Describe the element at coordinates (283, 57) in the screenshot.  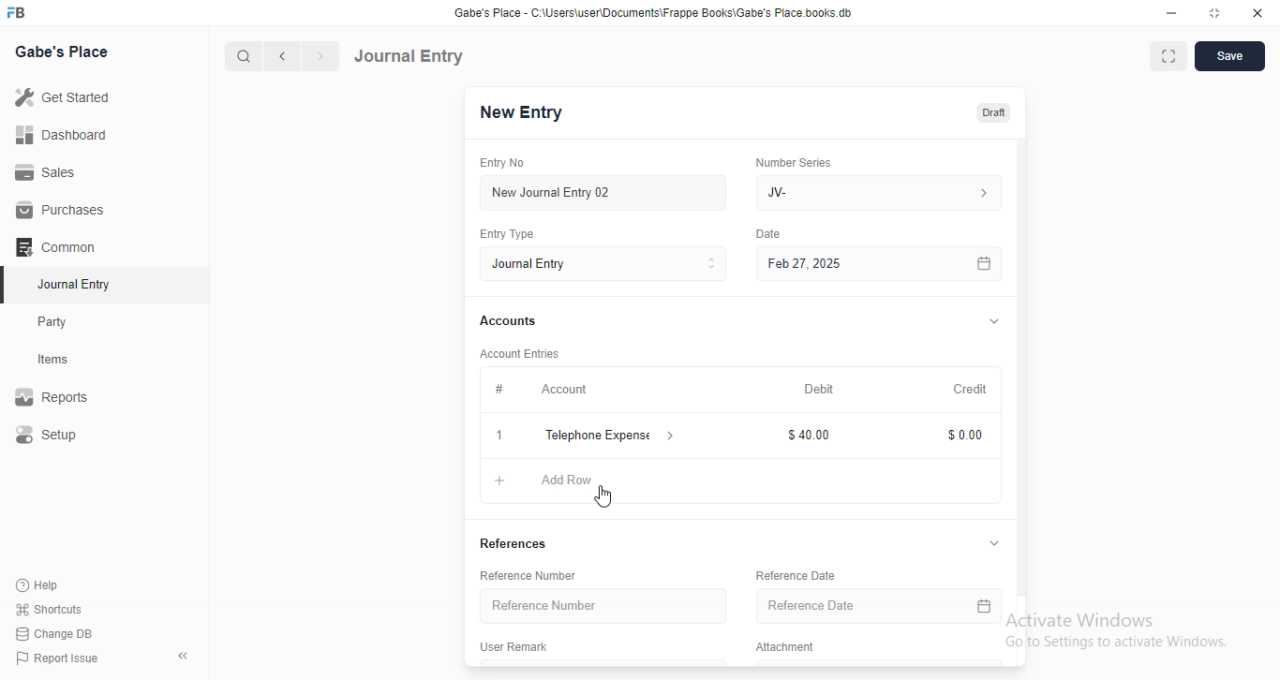
I see `Previous` at that location.